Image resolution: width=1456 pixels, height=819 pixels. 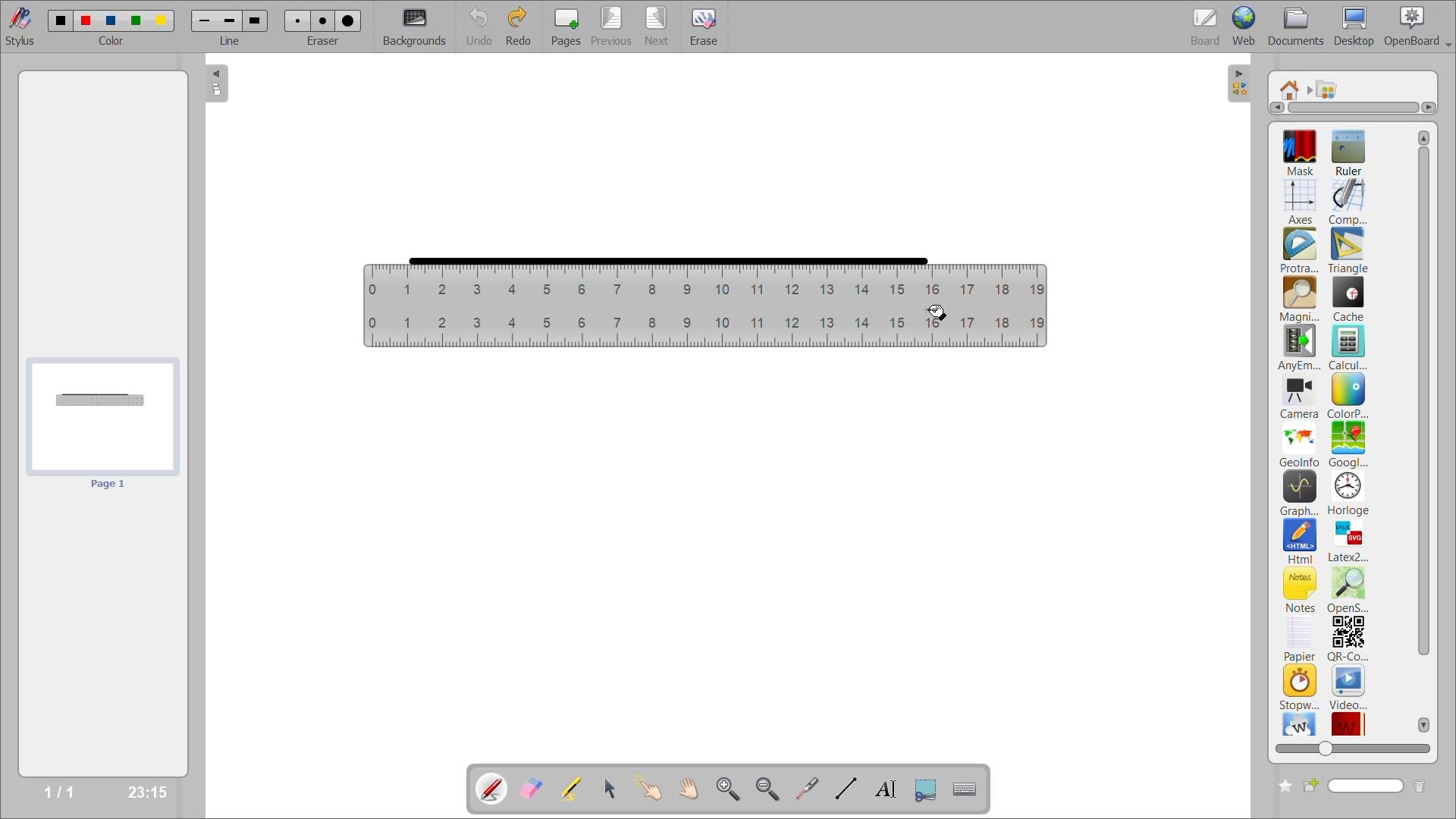 What do you see at coordinates (228, 20) in the screenshot?
I see `line 2` at bounding box center [228, 20].